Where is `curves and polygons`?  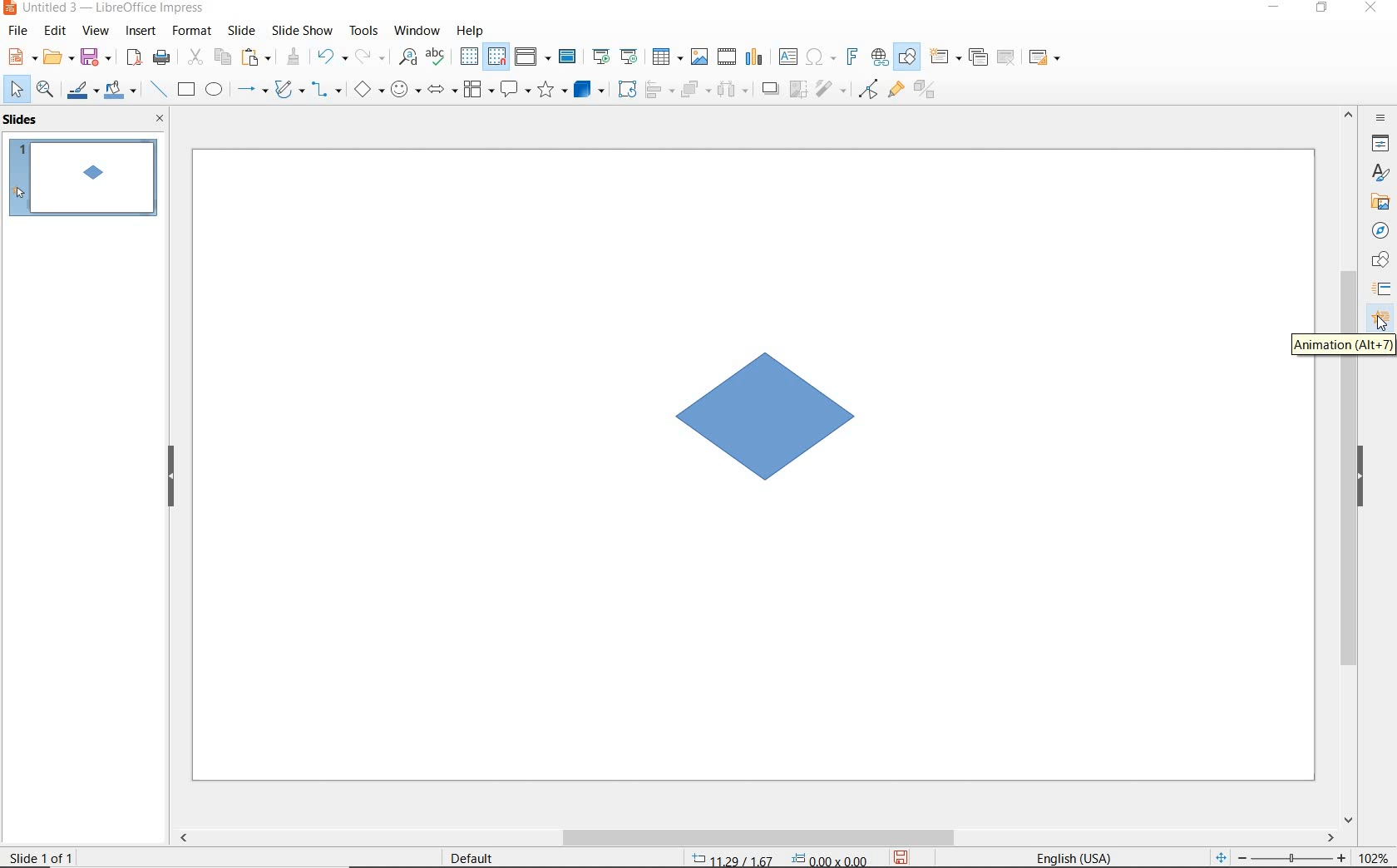
curves and polygons is located at coordinates (289, 91).